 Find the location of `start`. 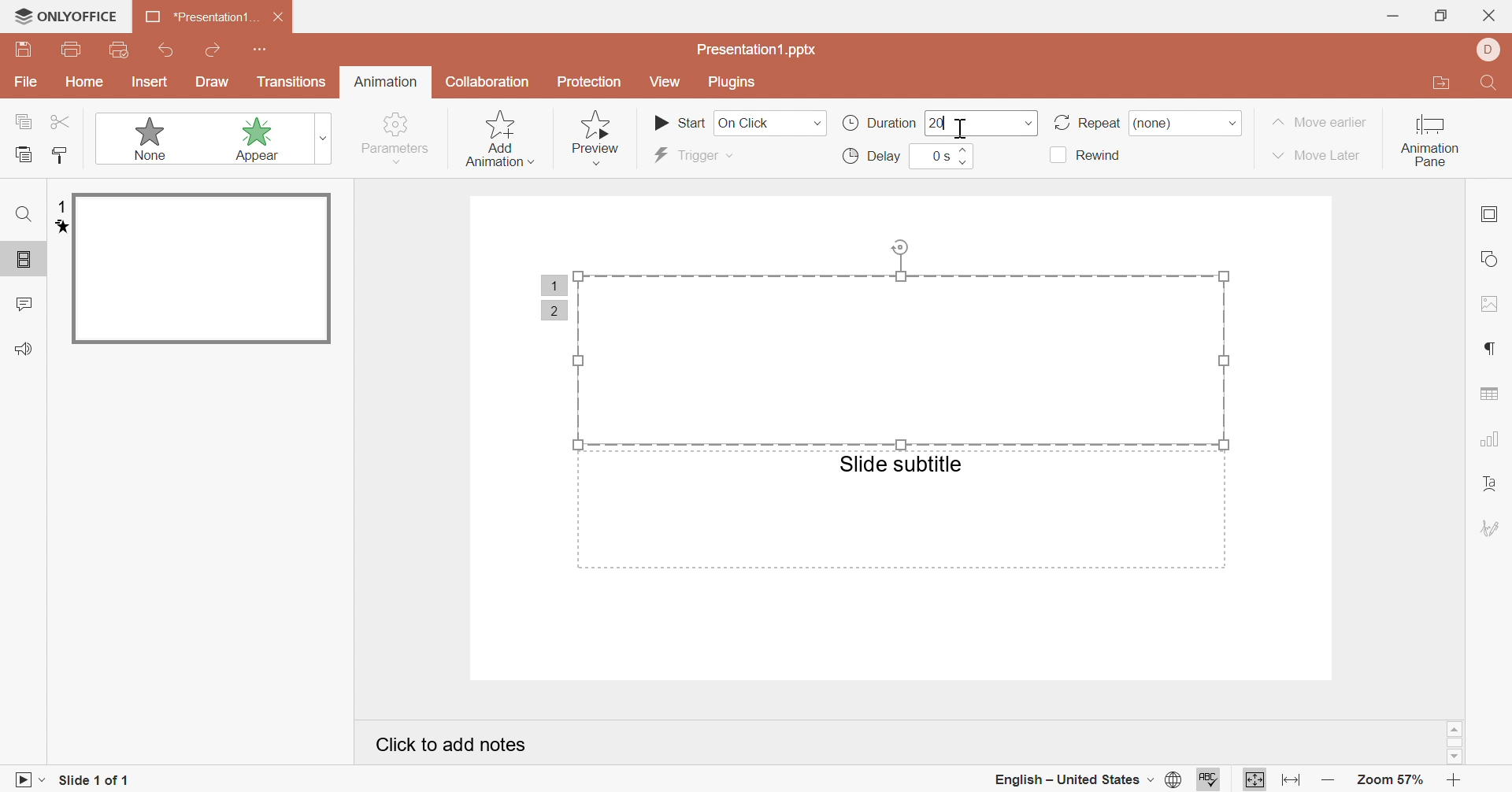

start is located at coordinates (680, 121).